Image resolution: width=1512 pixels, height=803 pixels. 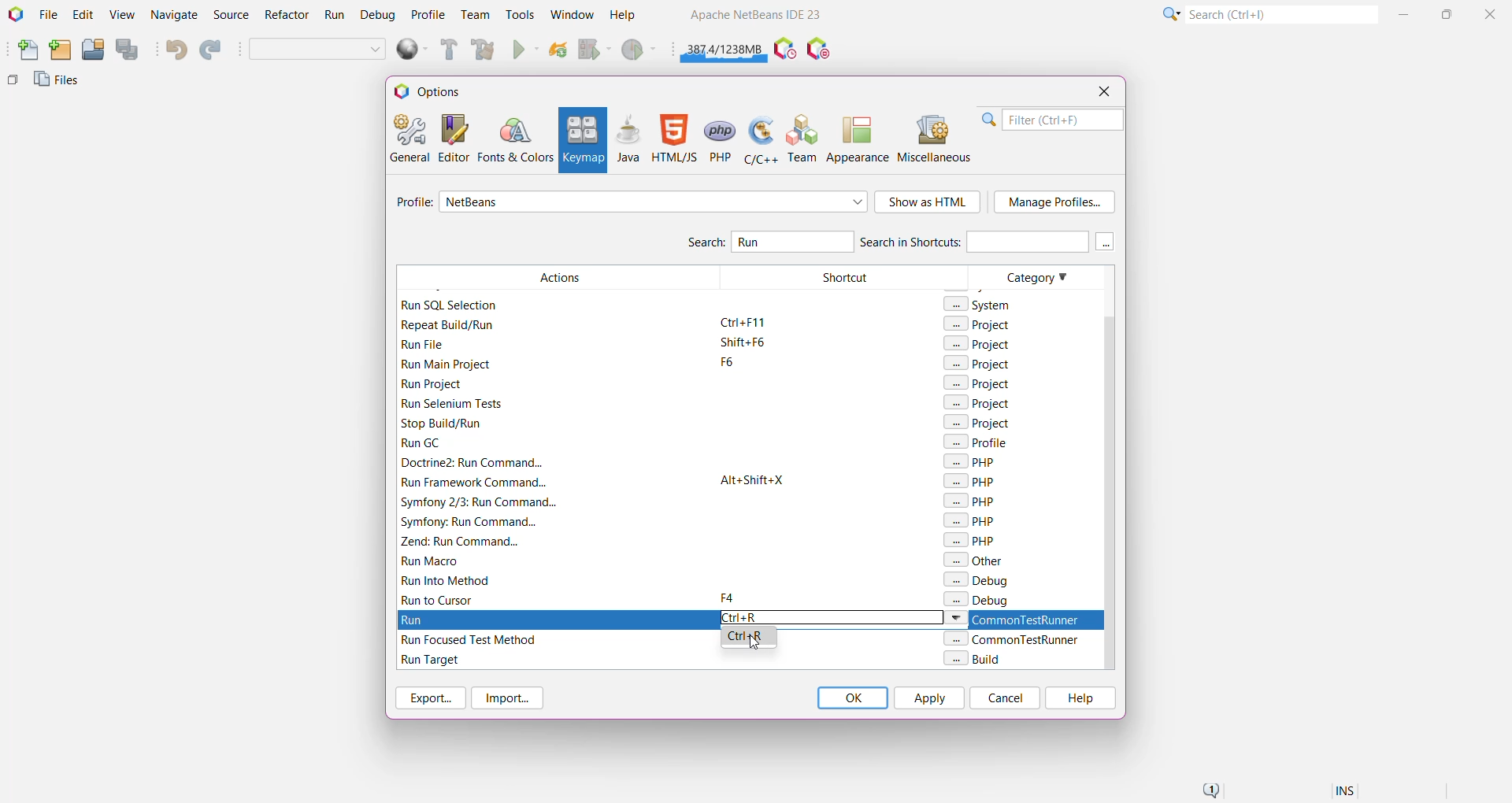 I want to click on Close, so click(x=1492, y=13).